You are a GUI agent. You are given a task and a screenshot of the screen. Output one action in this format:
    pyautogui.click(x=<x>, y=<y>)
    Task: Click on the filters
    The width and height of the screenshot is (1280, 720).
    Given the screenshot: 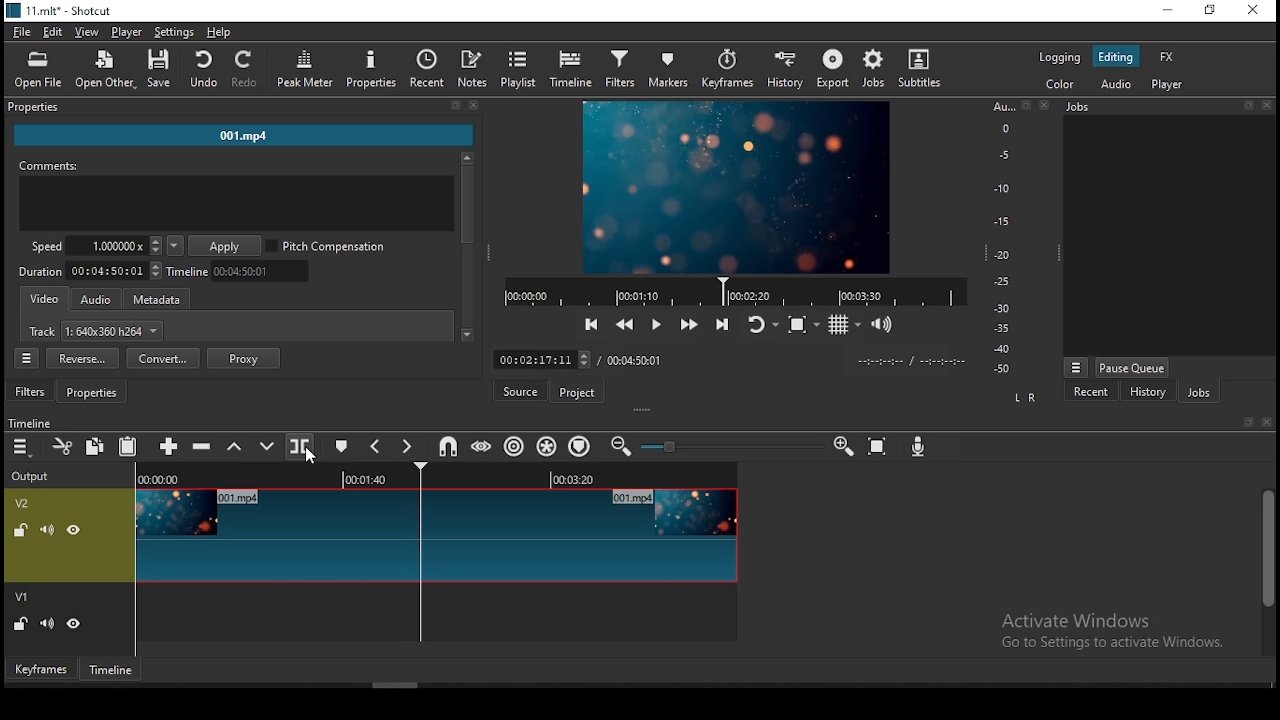 What is the action you would take?
    pyautogui.click(x=623, y=70)
    